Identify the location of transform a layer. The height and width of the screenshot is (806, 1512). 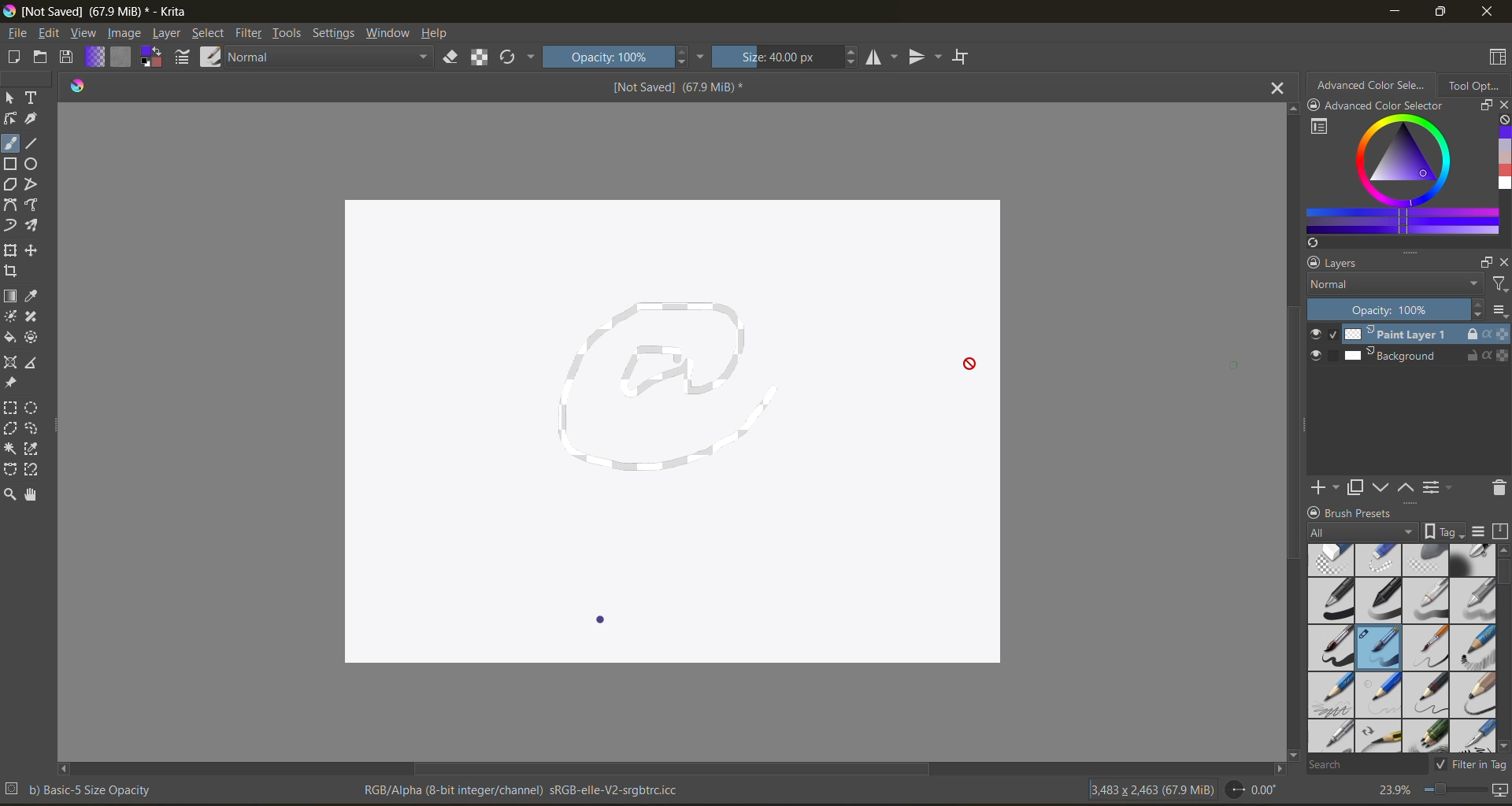
(10, 250).